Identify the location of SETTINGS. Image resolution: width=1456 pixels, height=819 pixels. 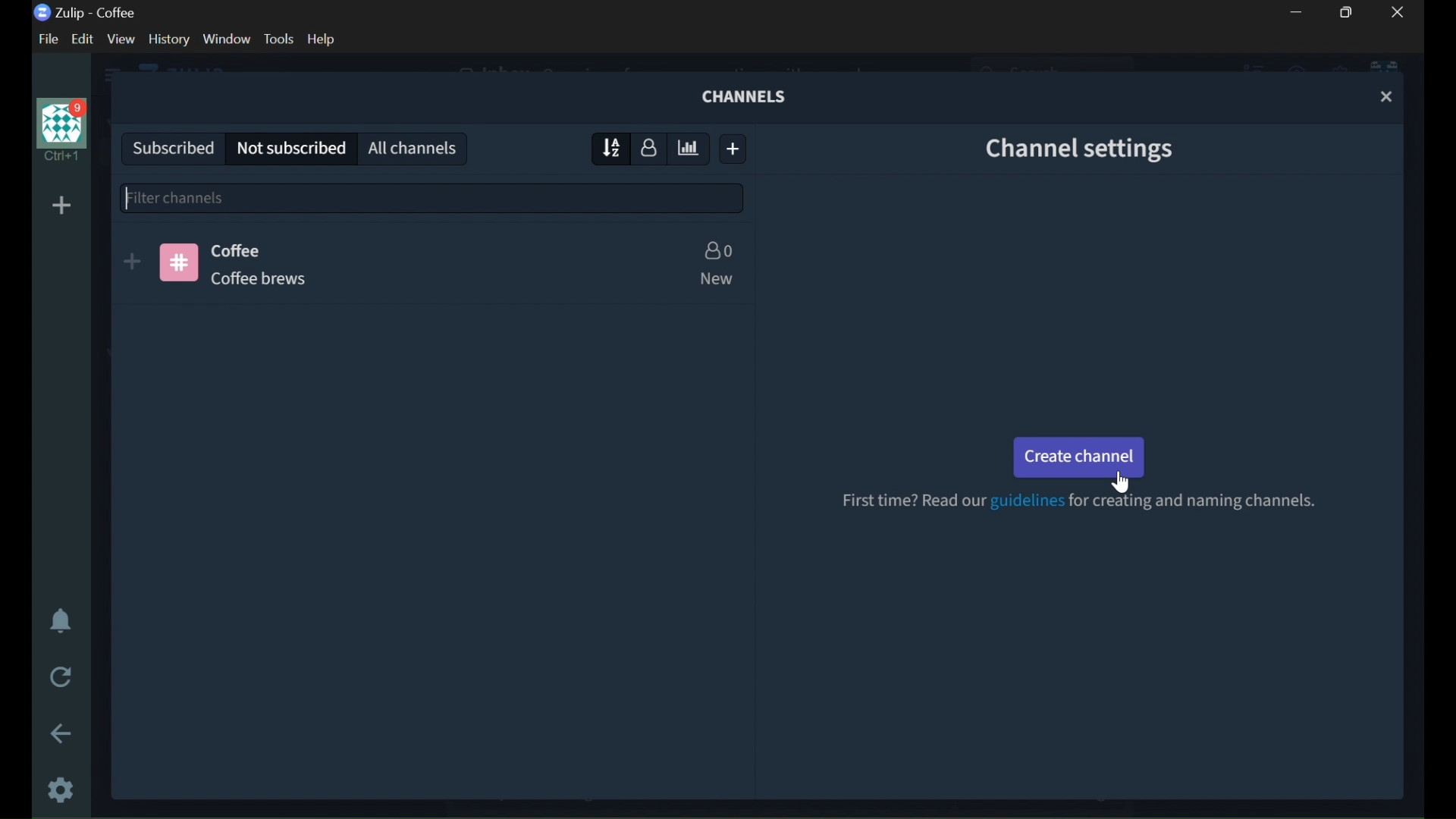
(62, 789).